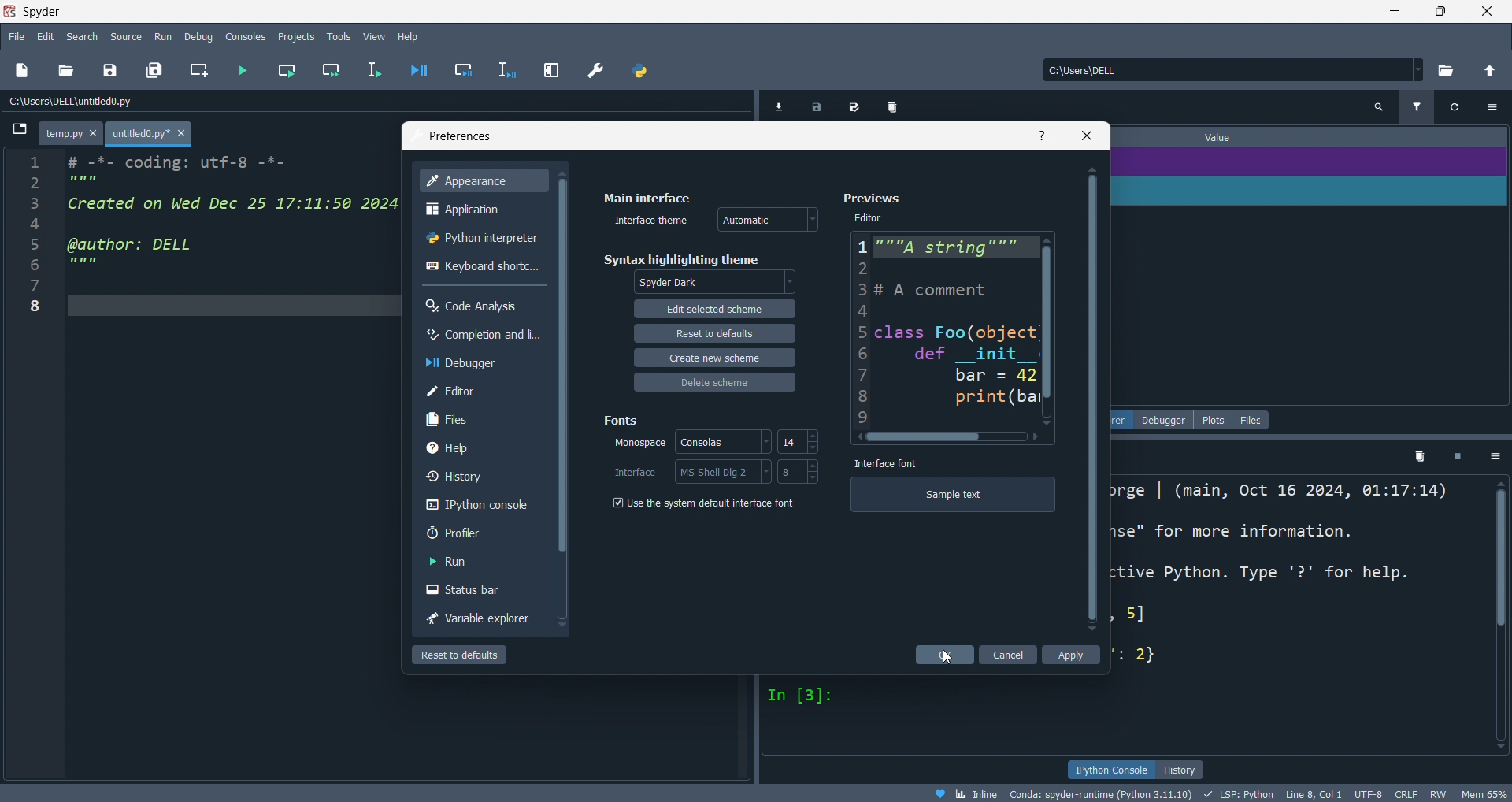  What do you see at coordinates (200, 71) in the screenshot?
I see `create cell` at bounding box center [200, 71].